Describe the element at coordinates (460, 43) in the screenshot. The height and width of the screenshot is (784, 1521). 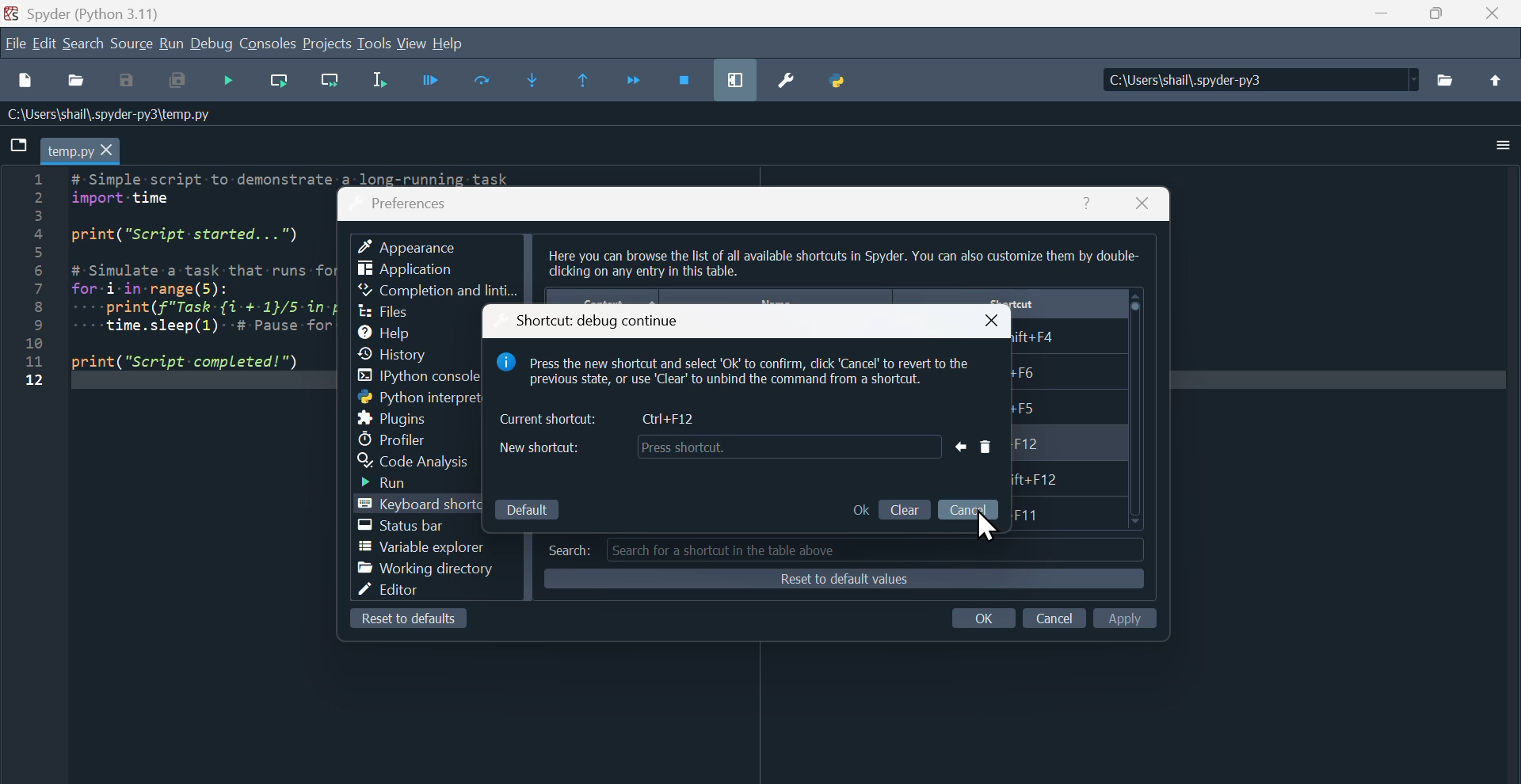
I see `help` at that location.